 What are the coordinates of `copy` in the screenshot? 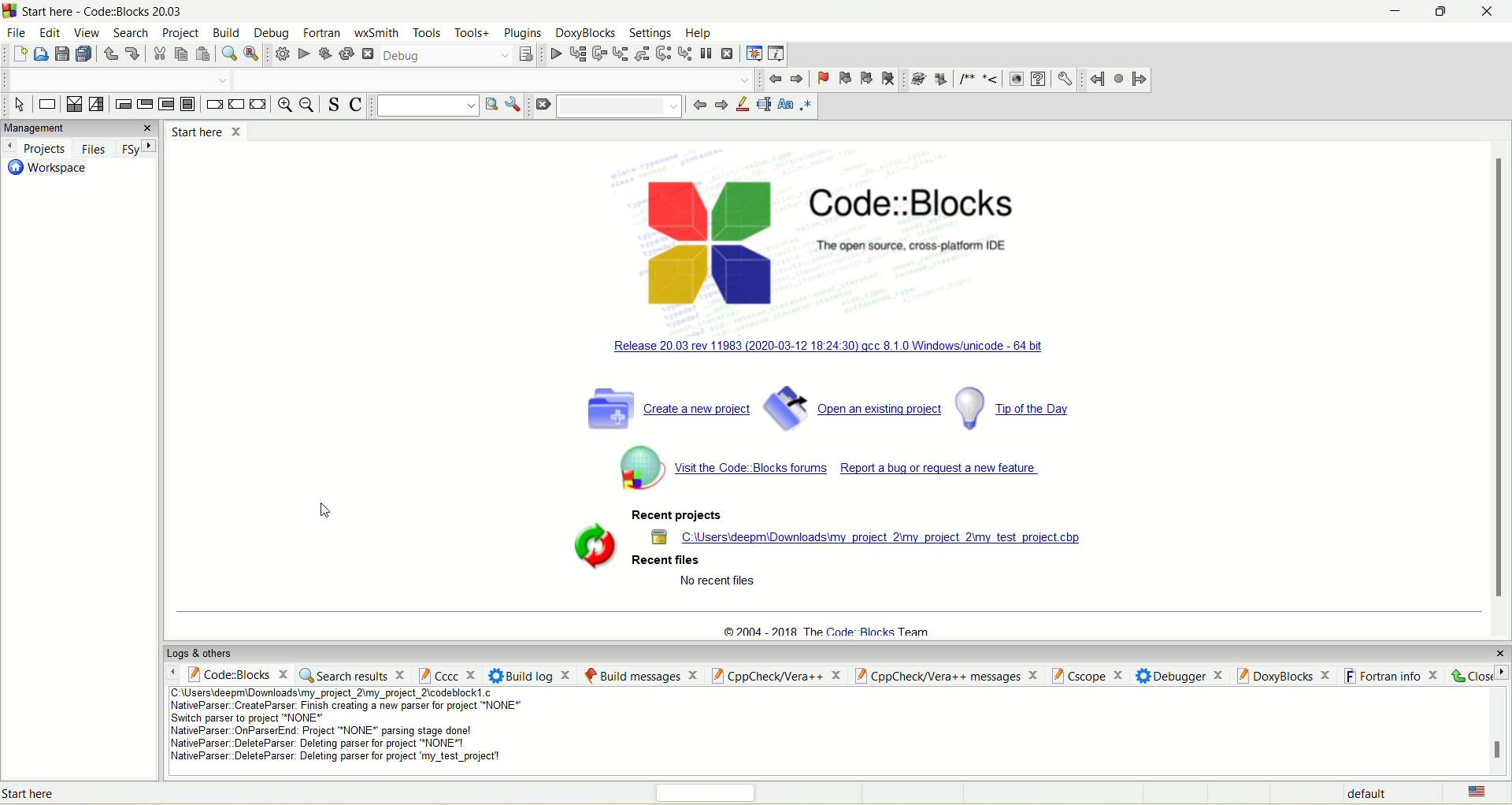 It's located at (183, 54).